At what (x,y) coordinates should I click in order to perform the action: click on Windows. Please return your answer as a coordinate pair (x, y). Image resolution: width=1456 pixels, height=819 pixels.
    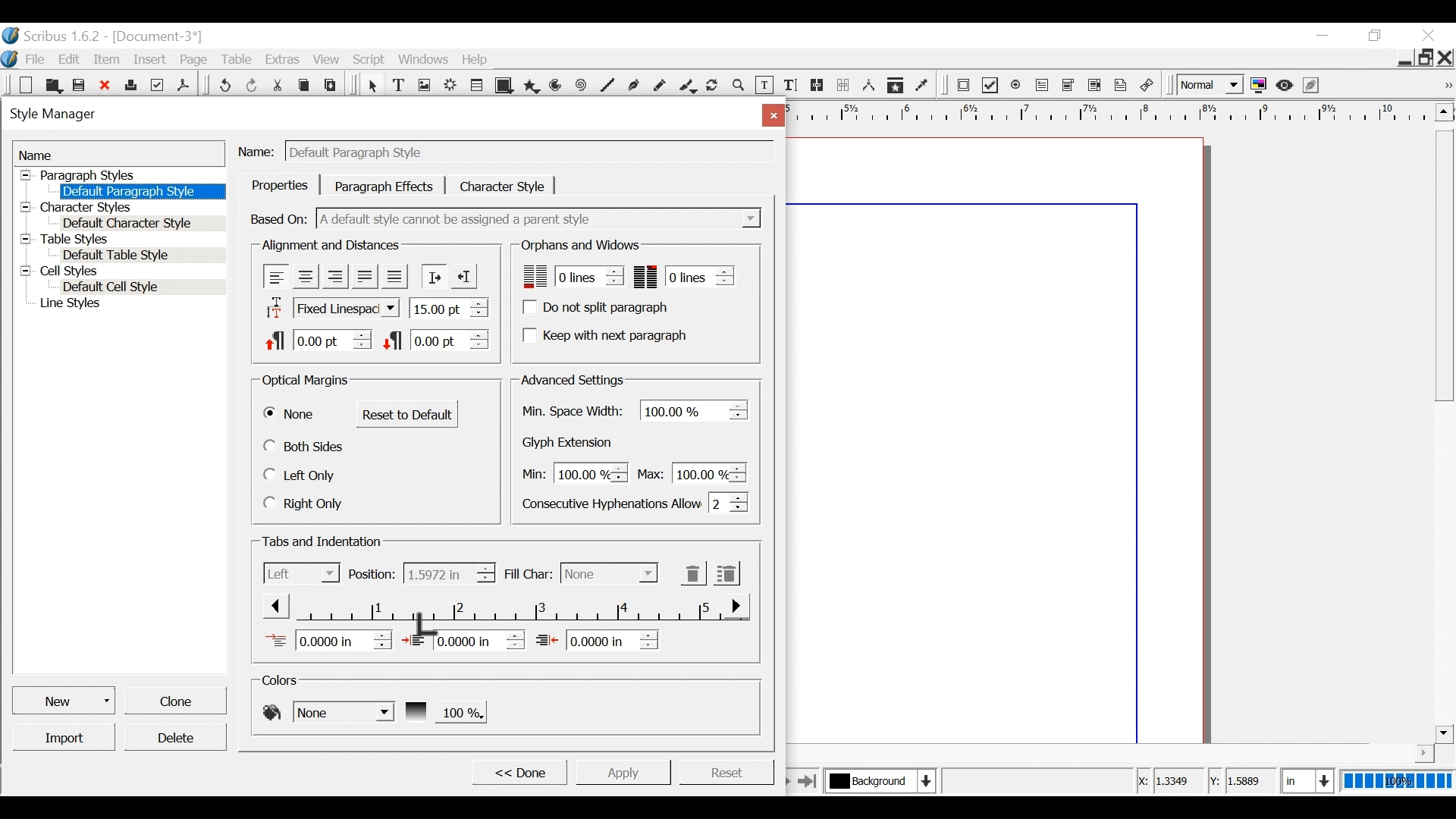
    Looking at the image, I should click on (425, 59).